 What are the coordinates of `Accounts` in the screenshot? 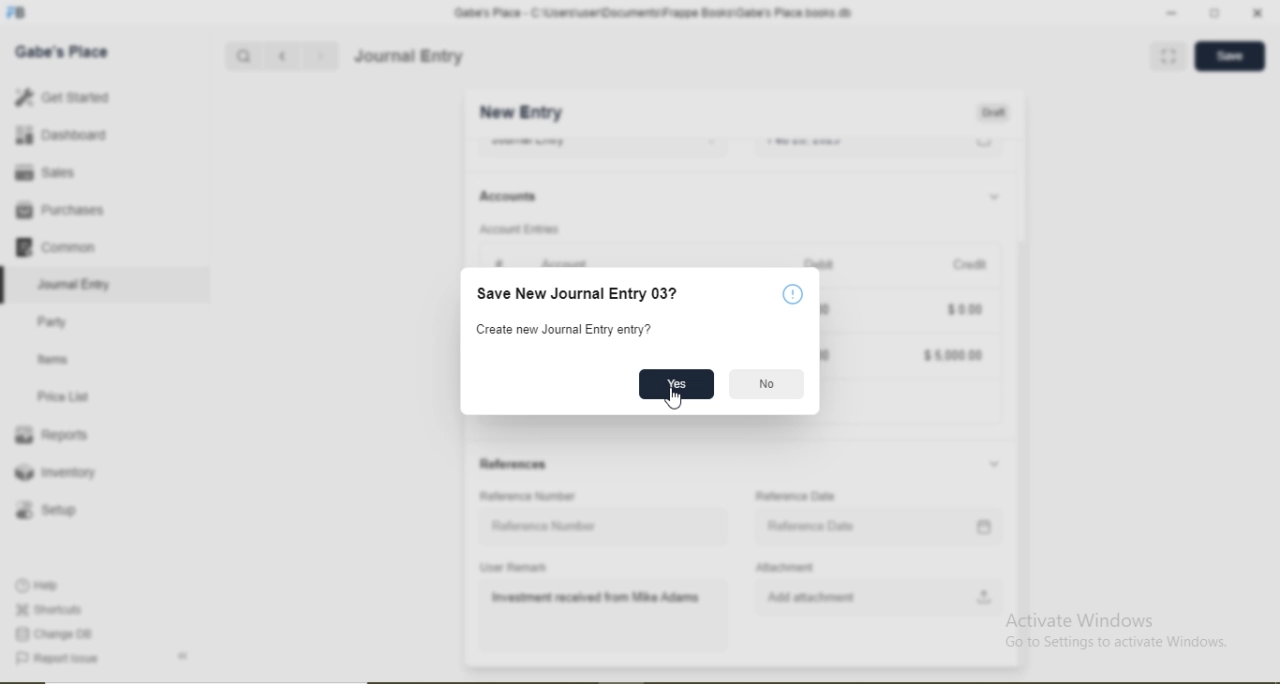 It's located at (508, 196).